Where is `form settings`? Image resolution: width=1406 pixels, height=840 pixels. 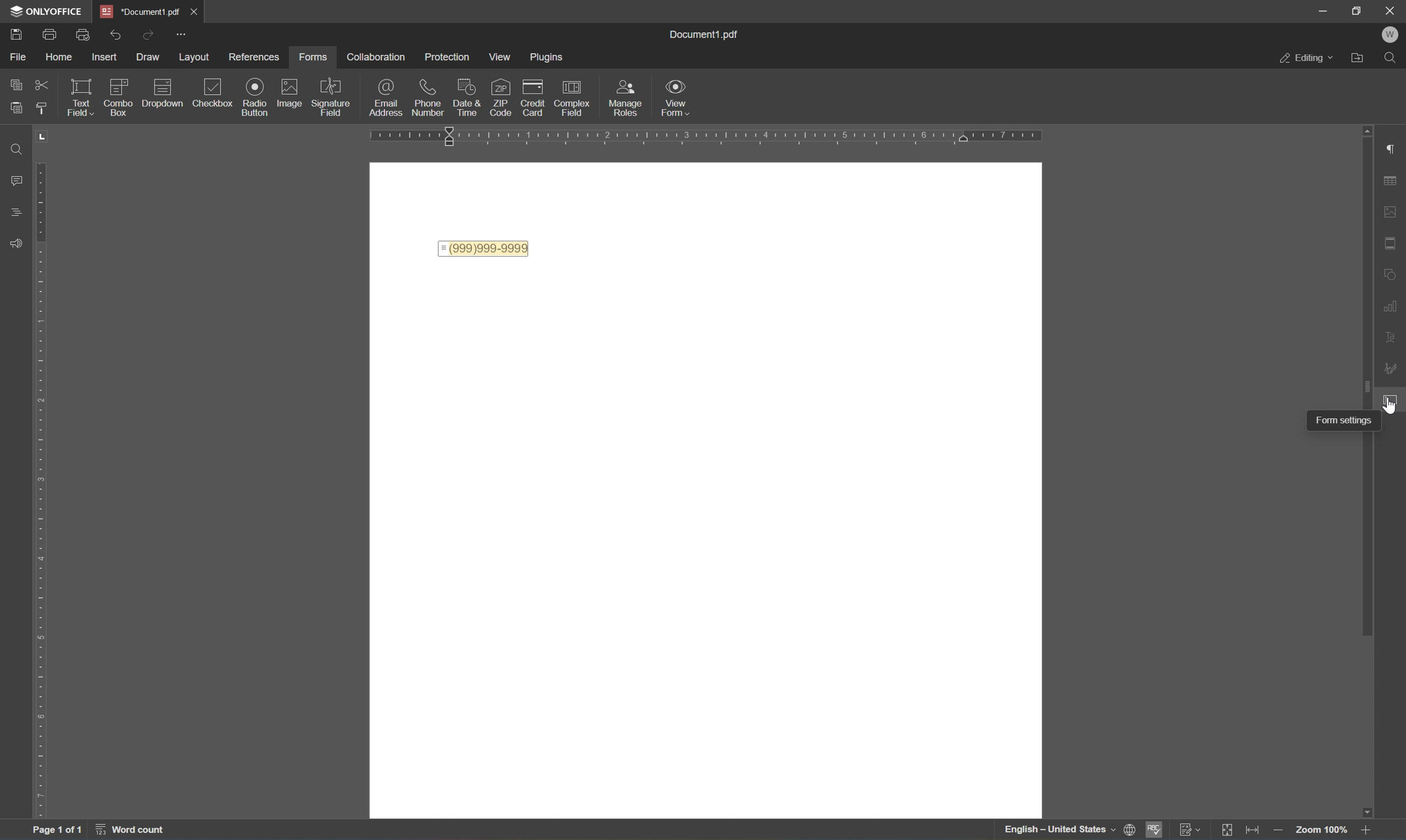
form settings is located at coordinates (1345, 419).